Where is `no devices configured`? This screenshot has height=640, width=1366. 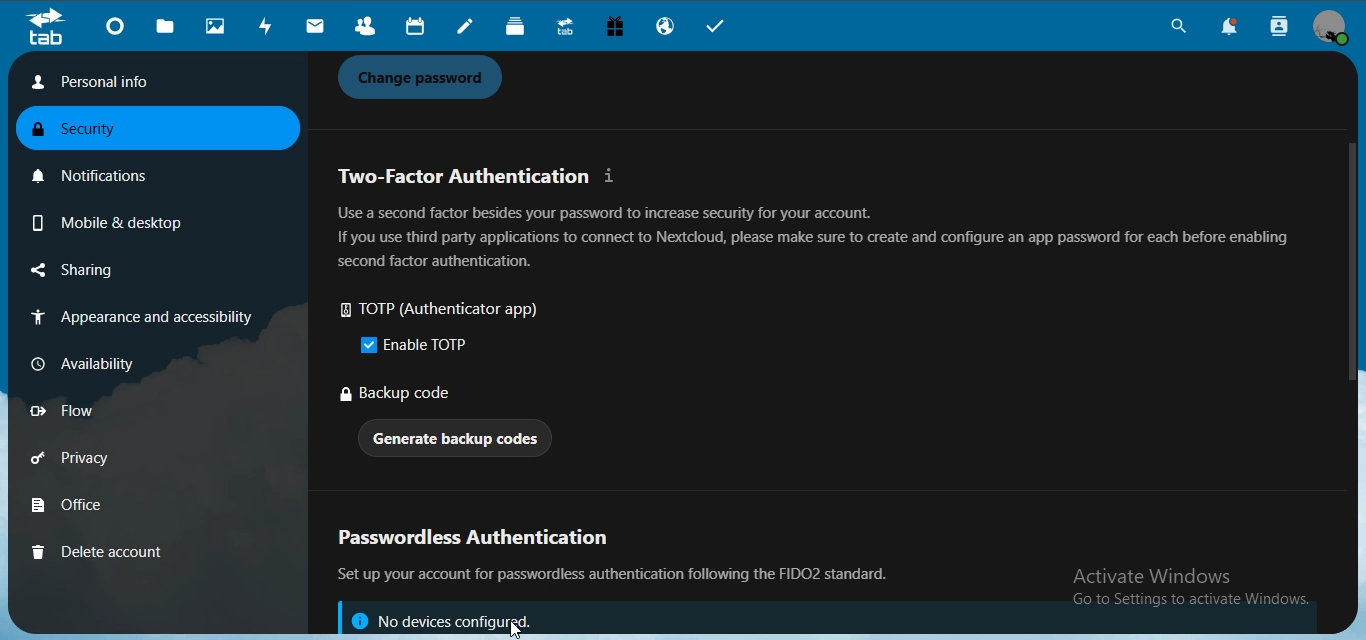
no devices configured is located at coordinates (441, 618).